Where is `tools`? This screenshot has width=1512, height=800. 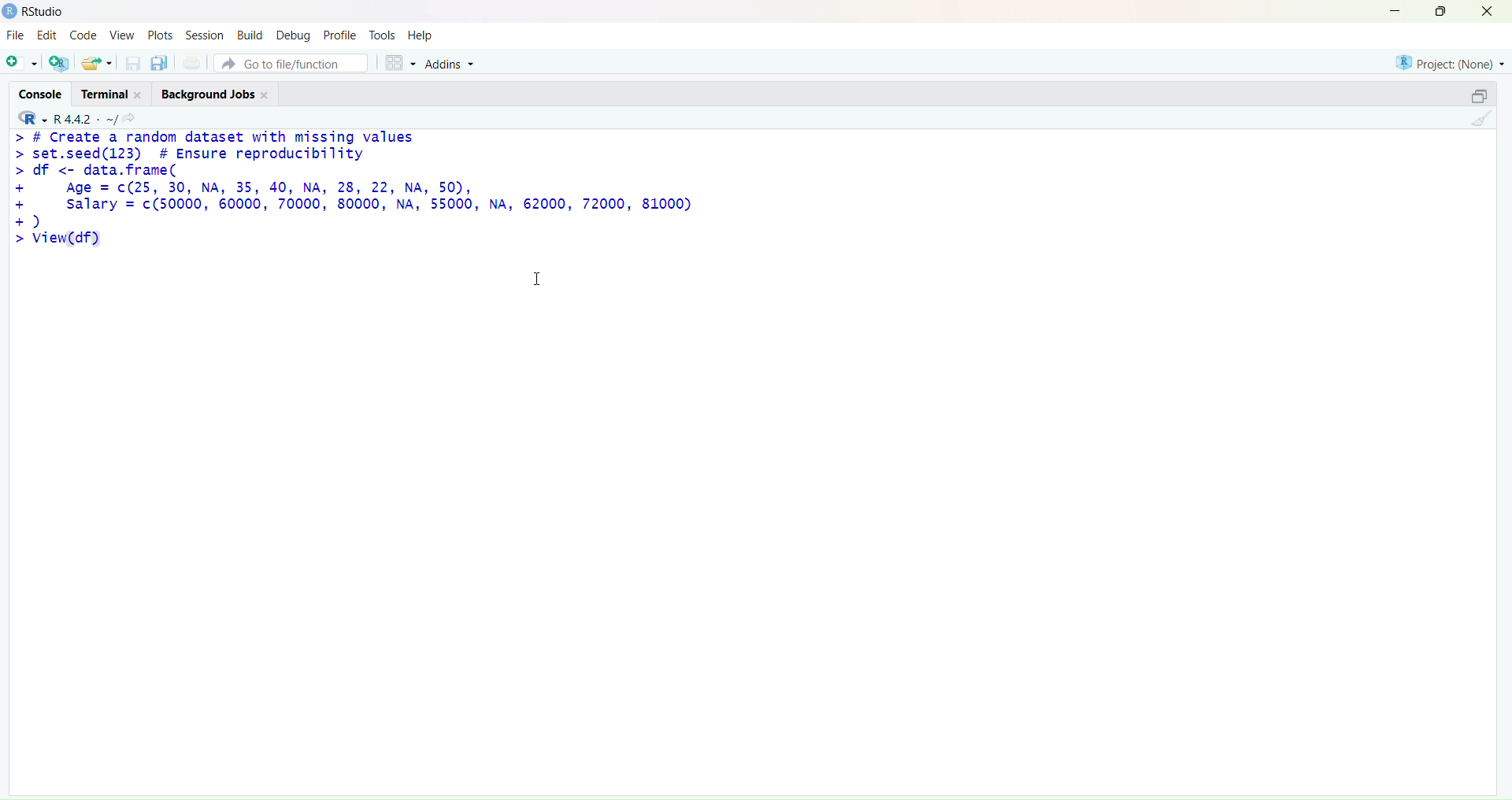
tools is located at coordinates (384, 35).